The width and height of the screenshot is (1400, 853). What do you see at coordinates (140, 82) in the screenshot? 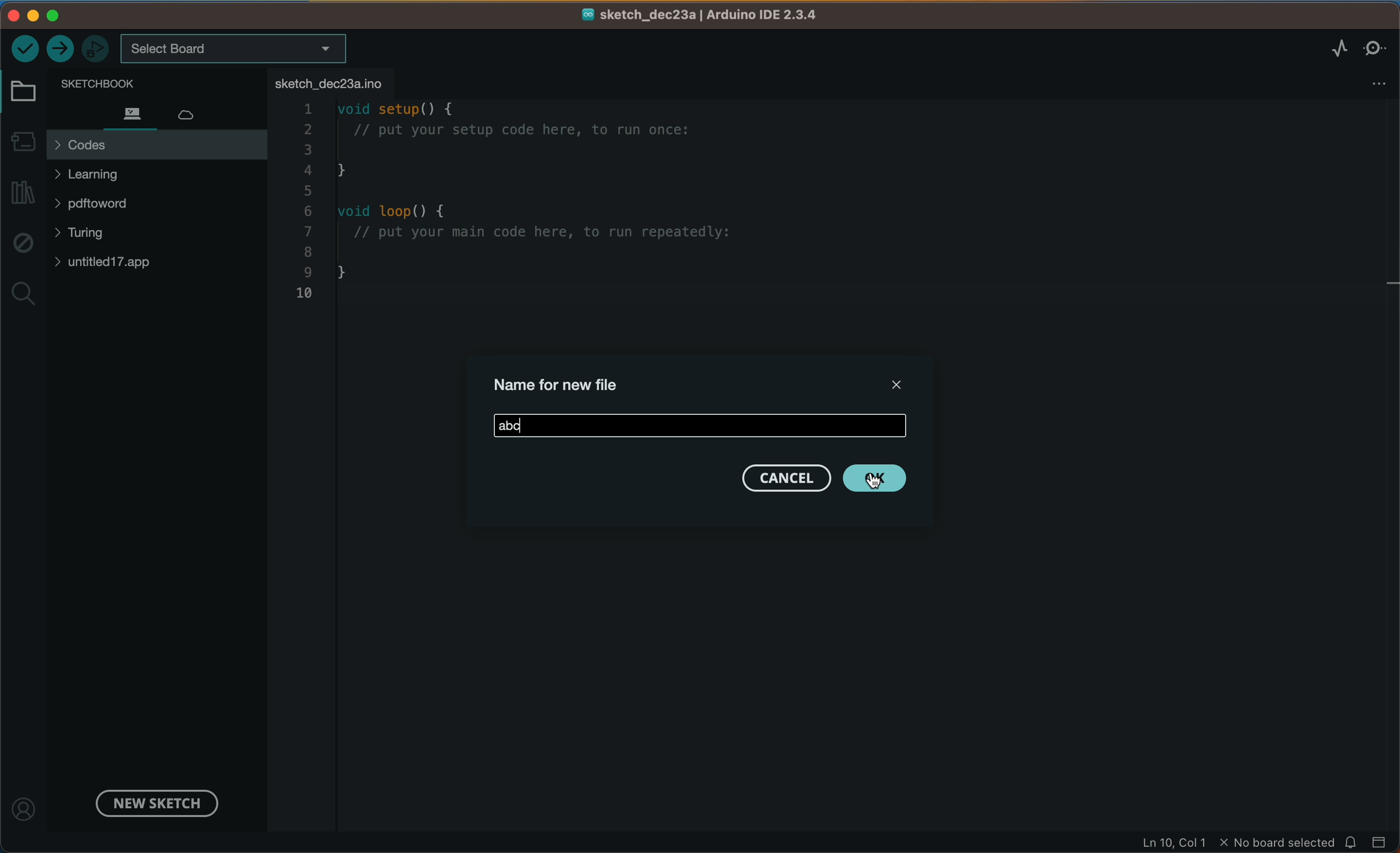
I see `sketchbook` at bounding box center [140, 82].